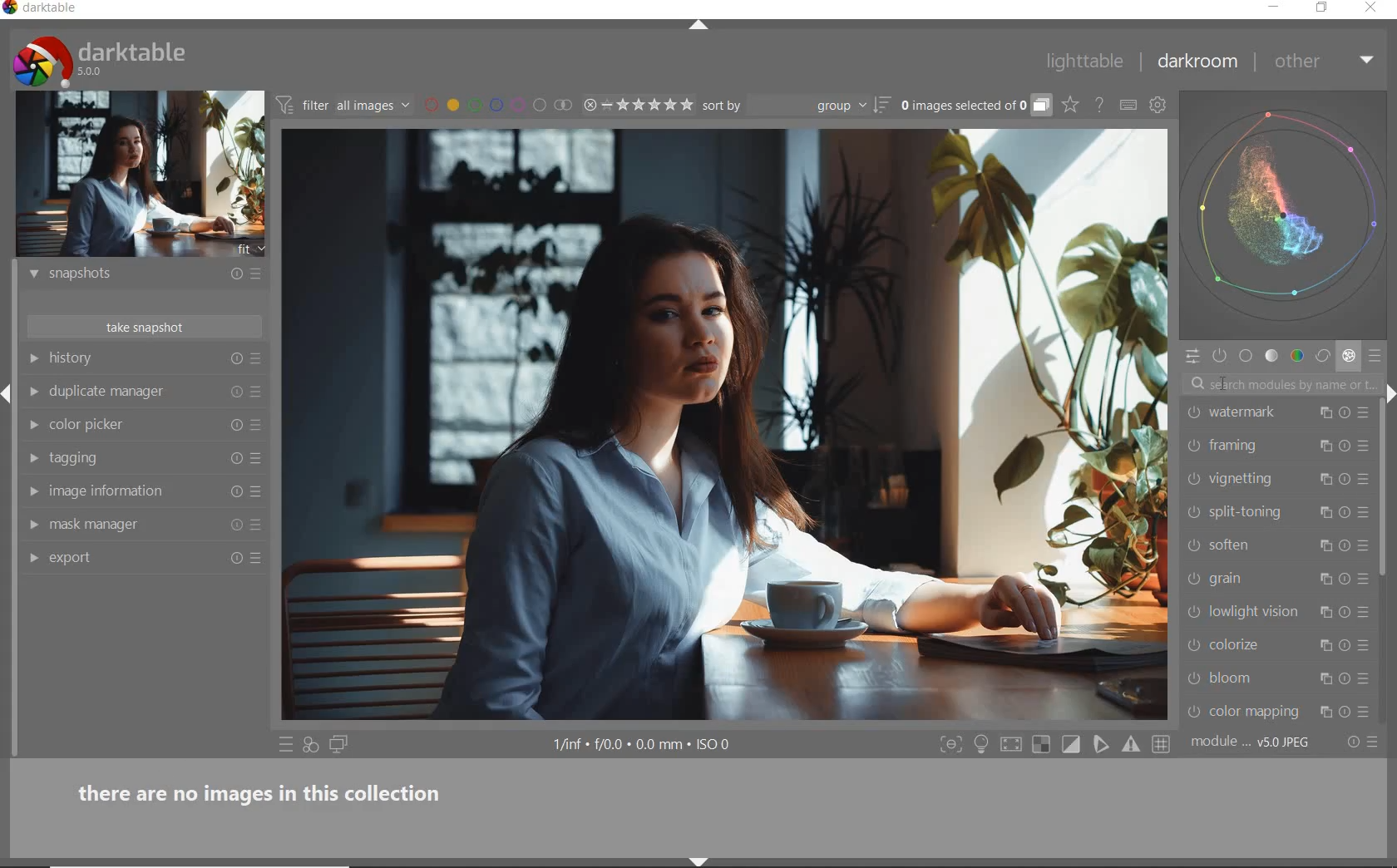 The width and height of the screenshot is (1397, 868). What do you see at coordinates (1254, 446) in the screenshot?
I see `framing` at bounding box center [1254, 446].